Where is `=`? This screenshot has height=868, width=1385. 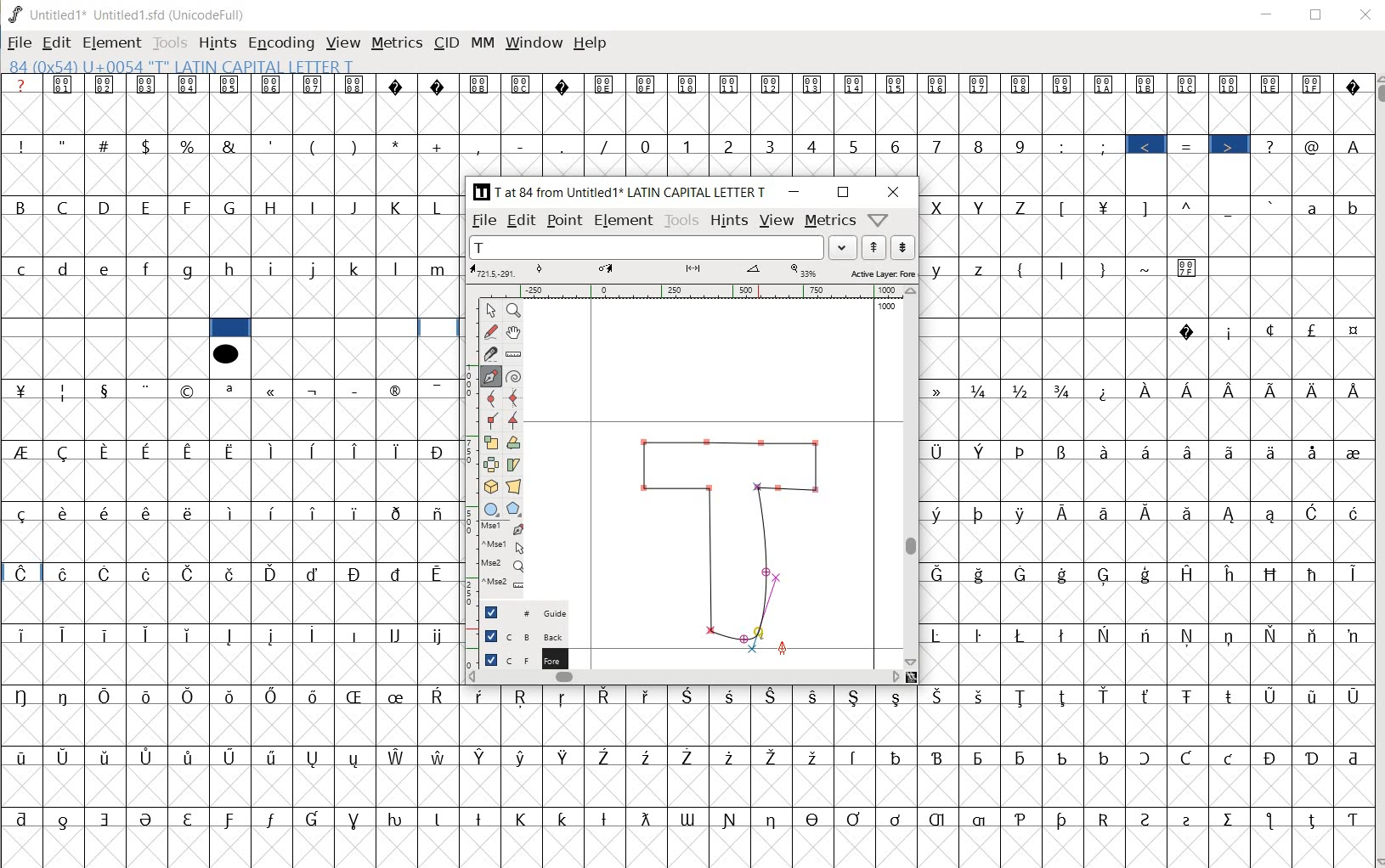 = is located at coordinates (1190, 146).